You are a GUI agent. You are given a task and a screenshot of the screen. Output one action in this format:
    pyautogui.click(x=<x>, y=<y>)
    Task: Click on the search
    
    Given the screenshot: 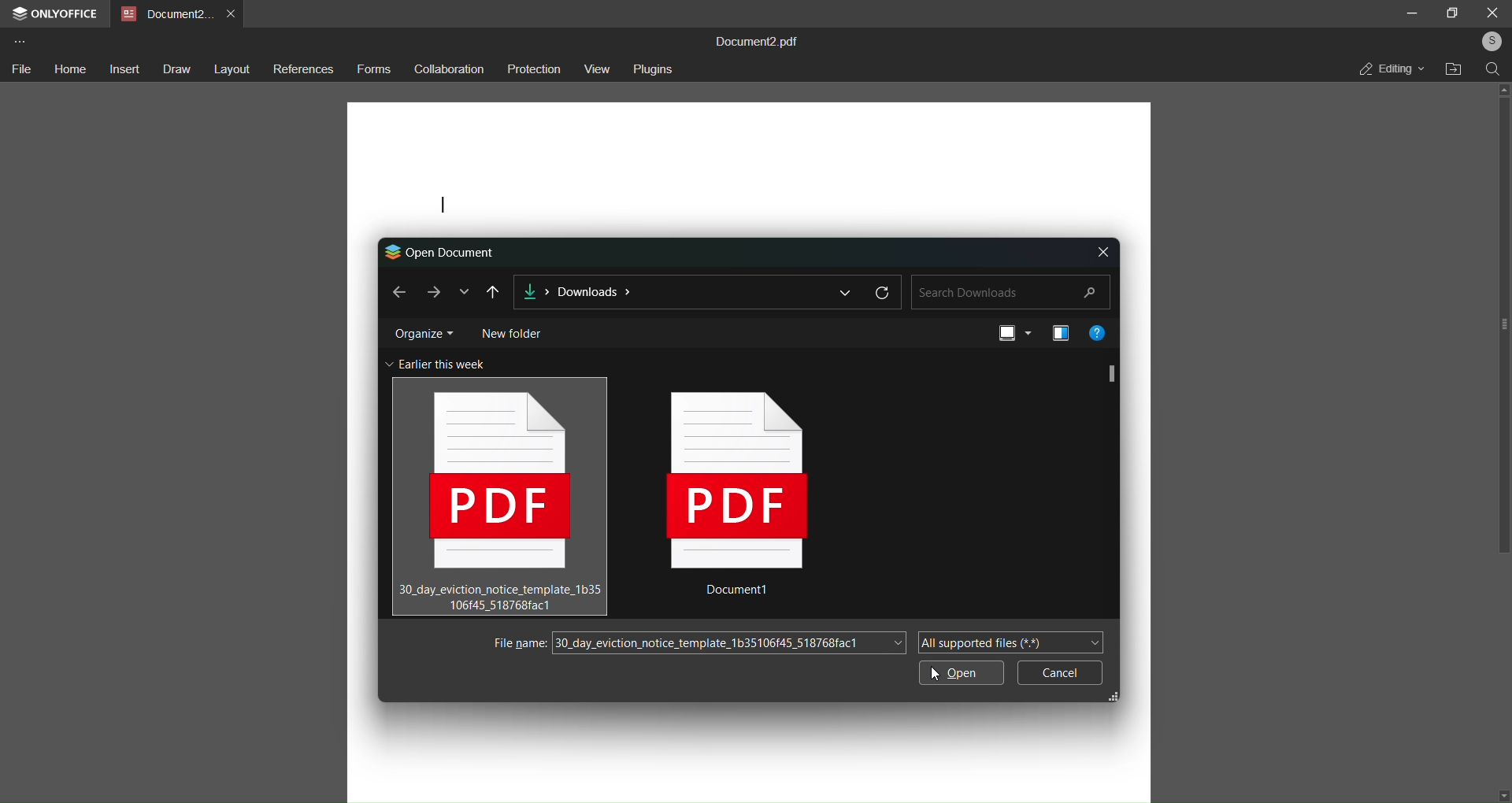 What is the action you would take?
    pyautogui.click(x=1010, y=291)
    